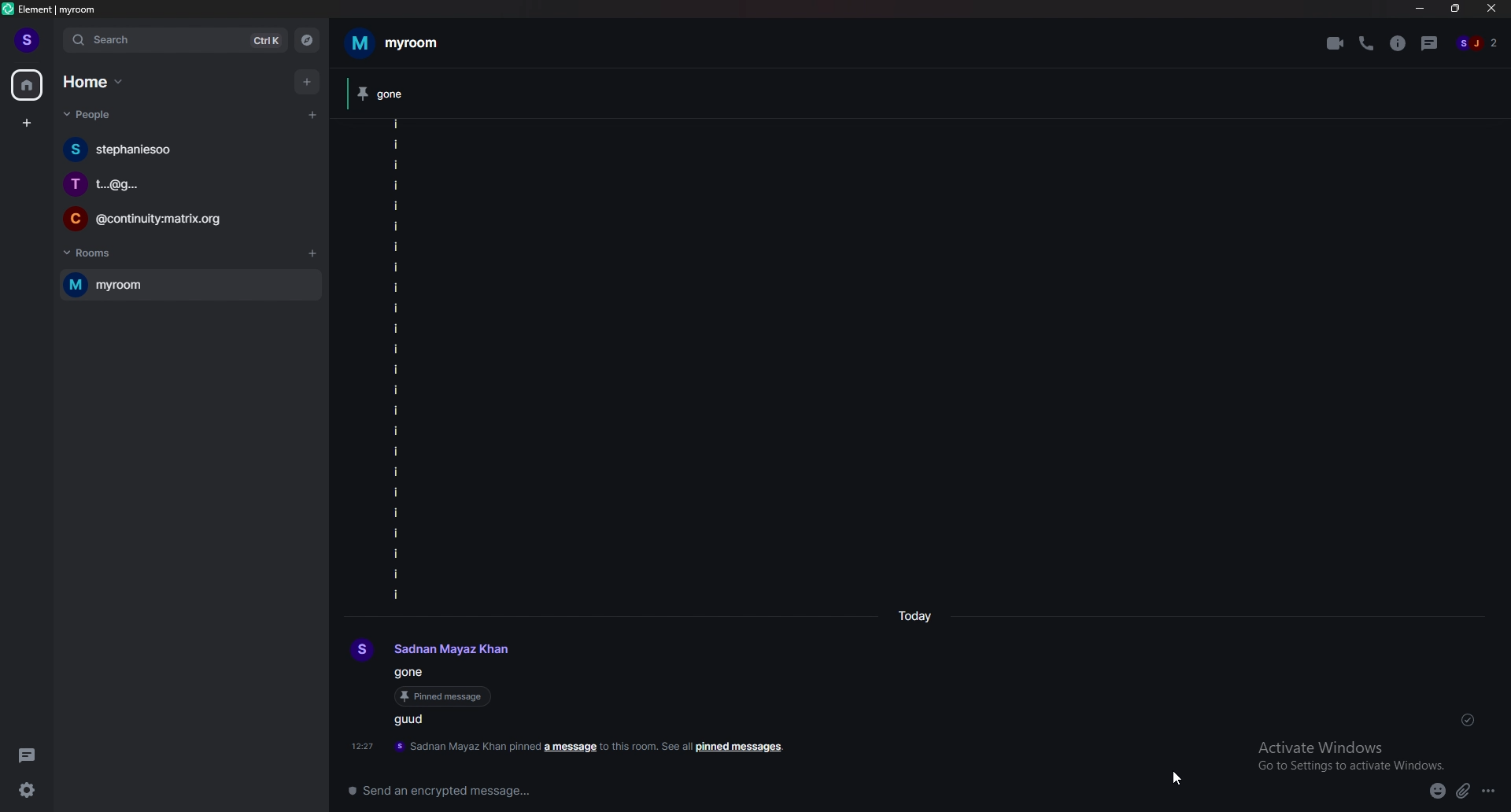  Describe the element at coordinates (573, 747) in the screenshot. I see `update` at that location.